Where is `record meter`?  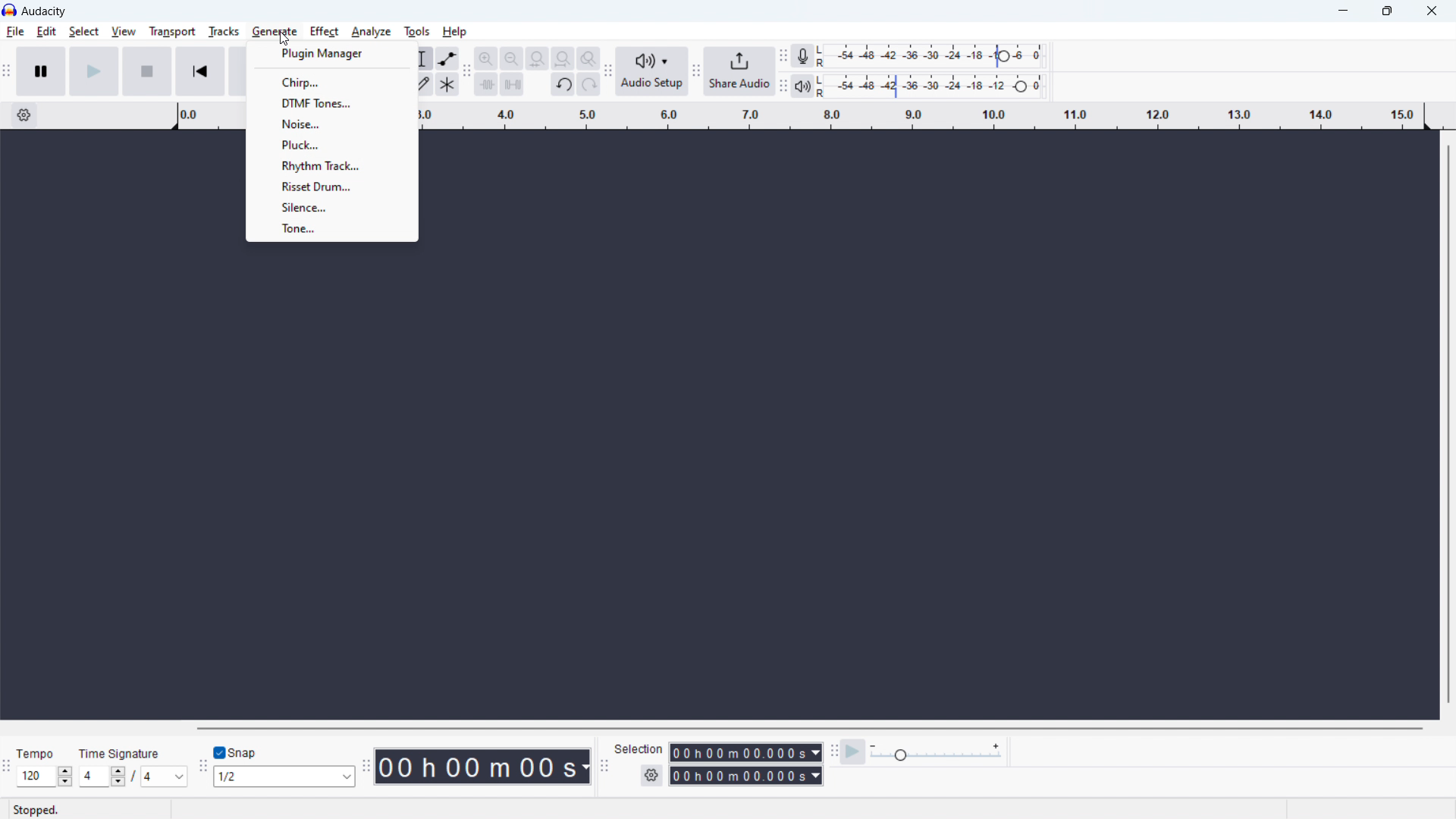
record meter is located at coordinates (937, 56).